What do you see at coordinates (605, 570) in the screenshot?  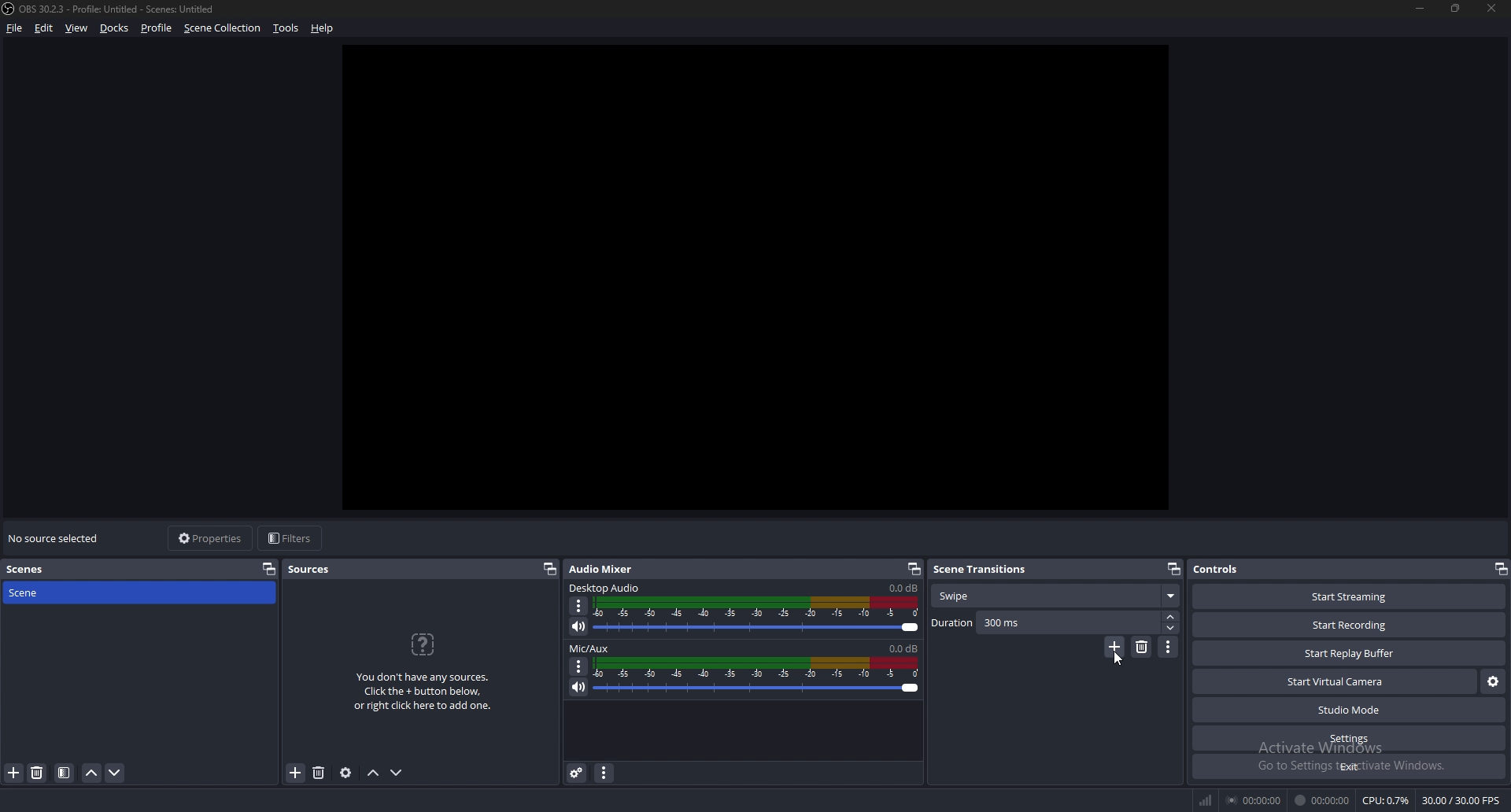 I see `audio mixer` at bounding box center [605, 570].